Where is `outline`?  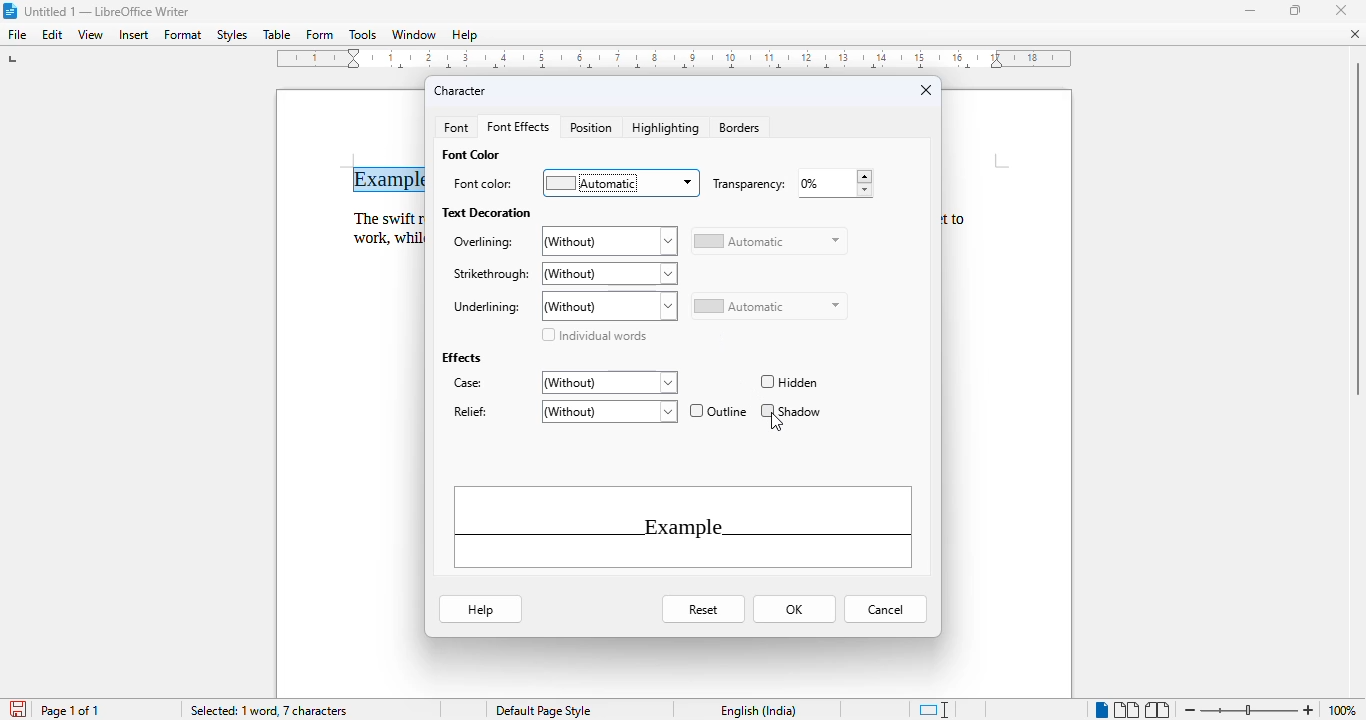
outline is located at coordinates (719, 410).